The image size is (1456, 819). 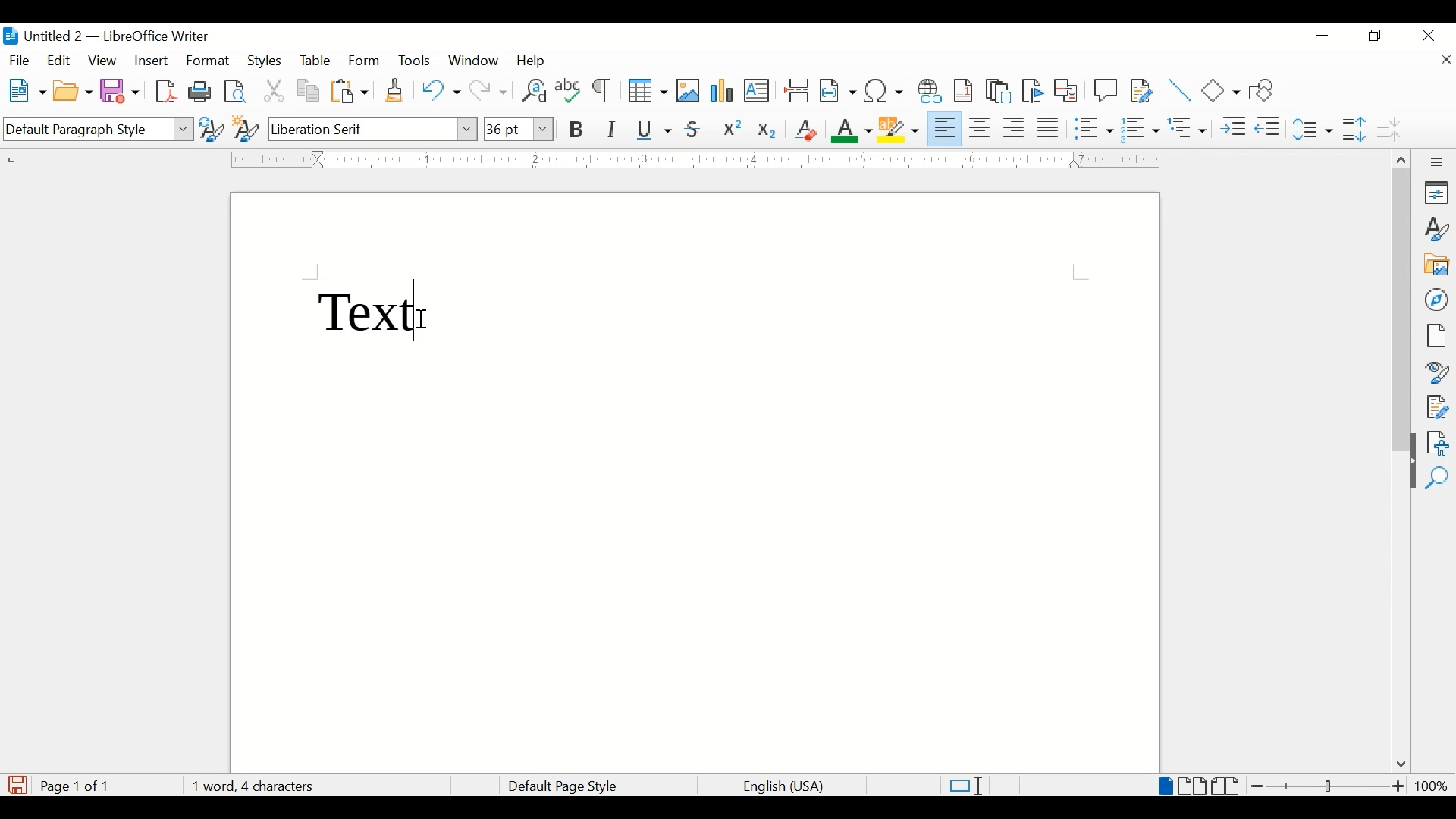 What do you see at coordinates (560, 786) in the screenshot?
I see `default page style` at bounding box center [560, 786].